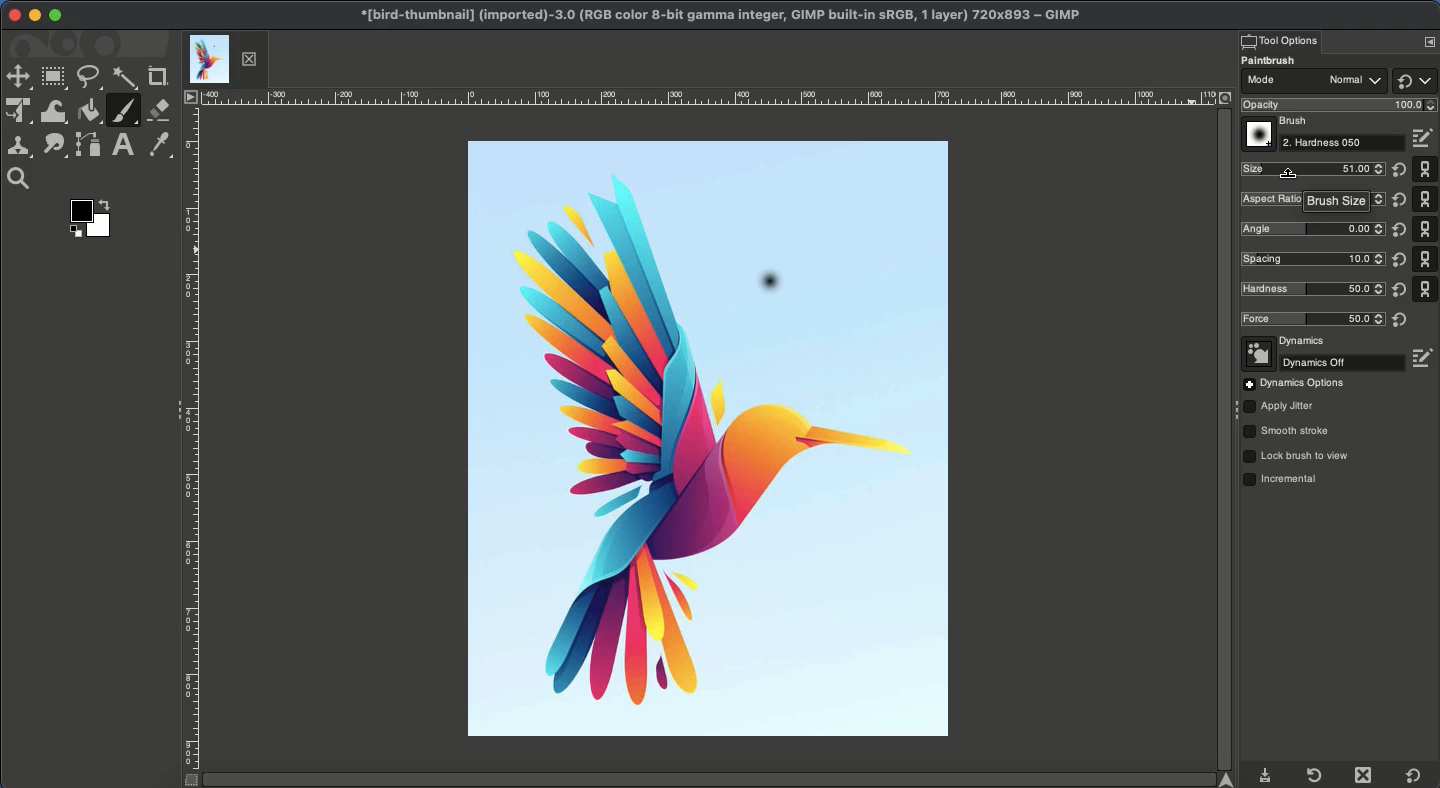  What do you see at coordinates (1312, 320) in the screenshot?
I see `Force` at bounding box center [1312, 320].